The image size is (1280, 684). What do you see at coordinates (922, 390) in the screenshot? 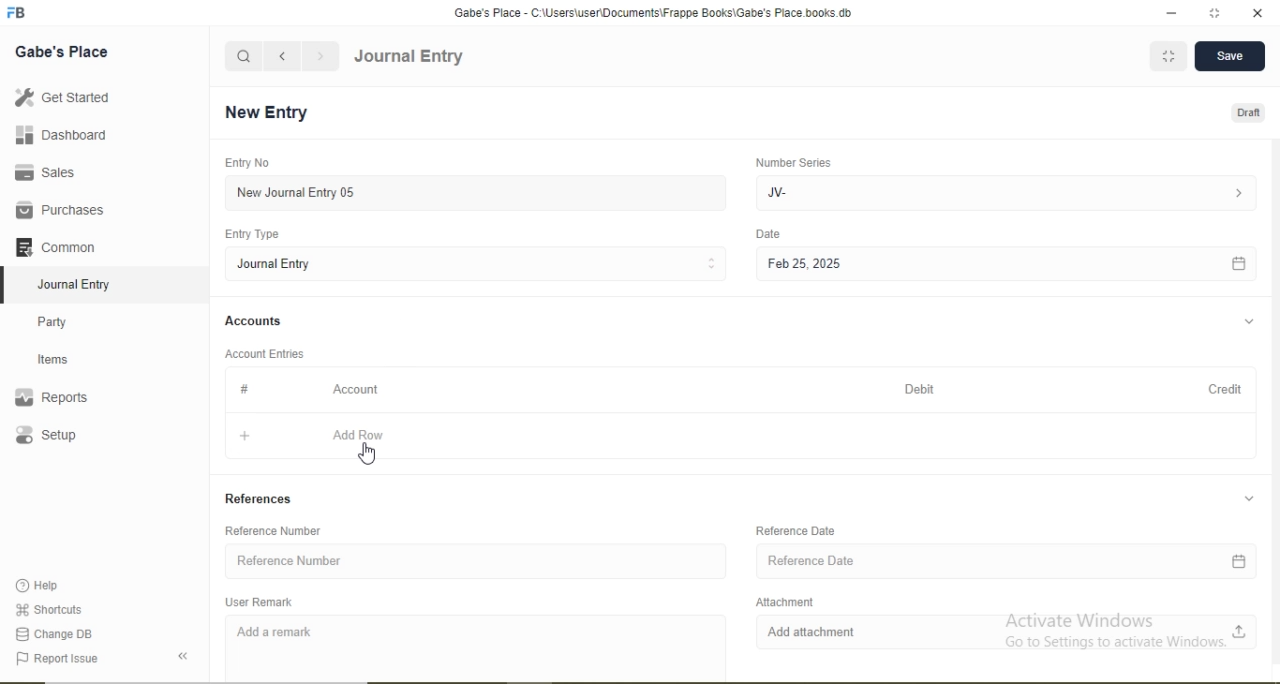
I see `Debit` at bounding box center [922, 390].